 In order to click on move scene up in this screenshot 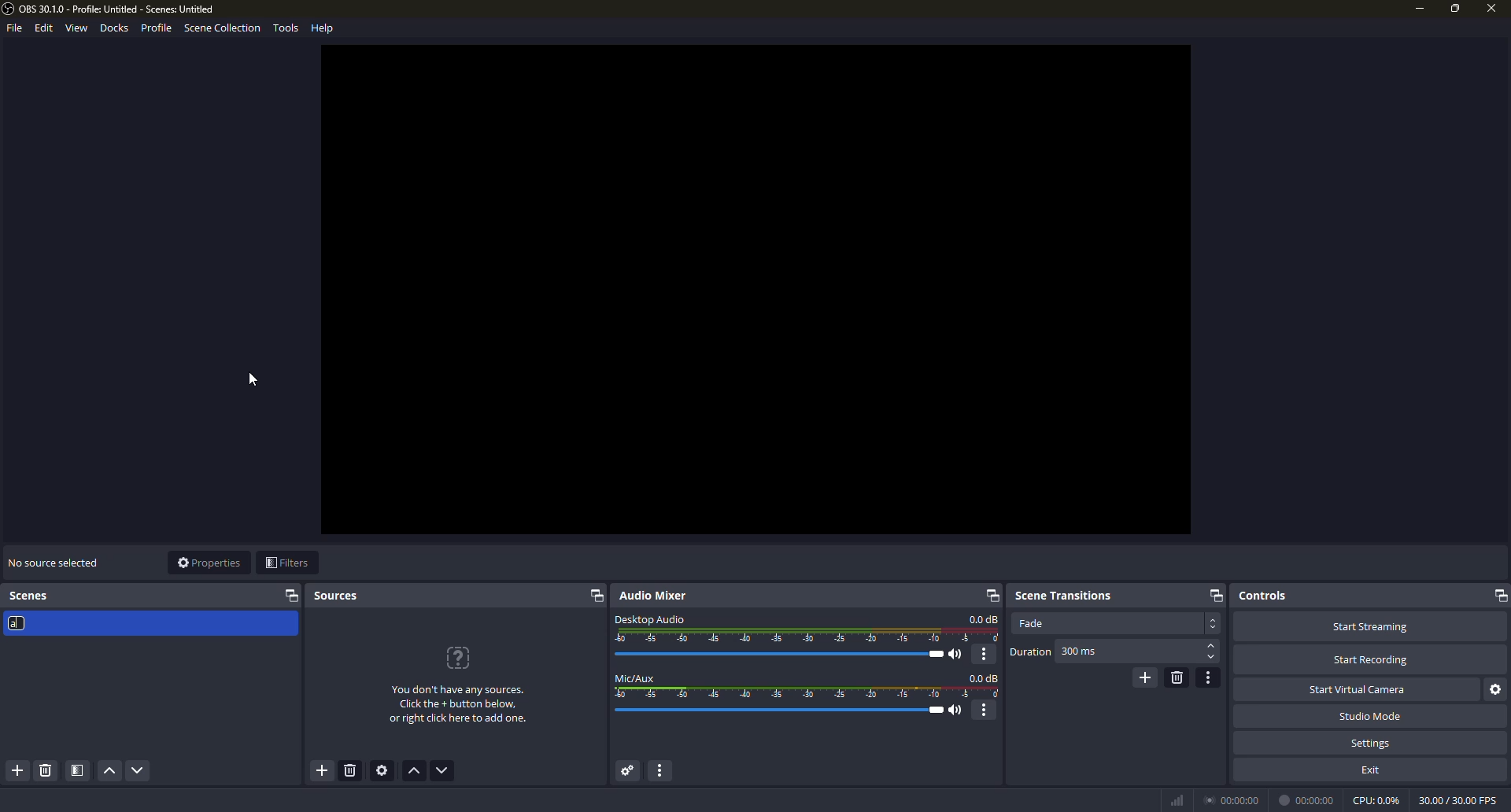, I will do `click(109, 772)`.